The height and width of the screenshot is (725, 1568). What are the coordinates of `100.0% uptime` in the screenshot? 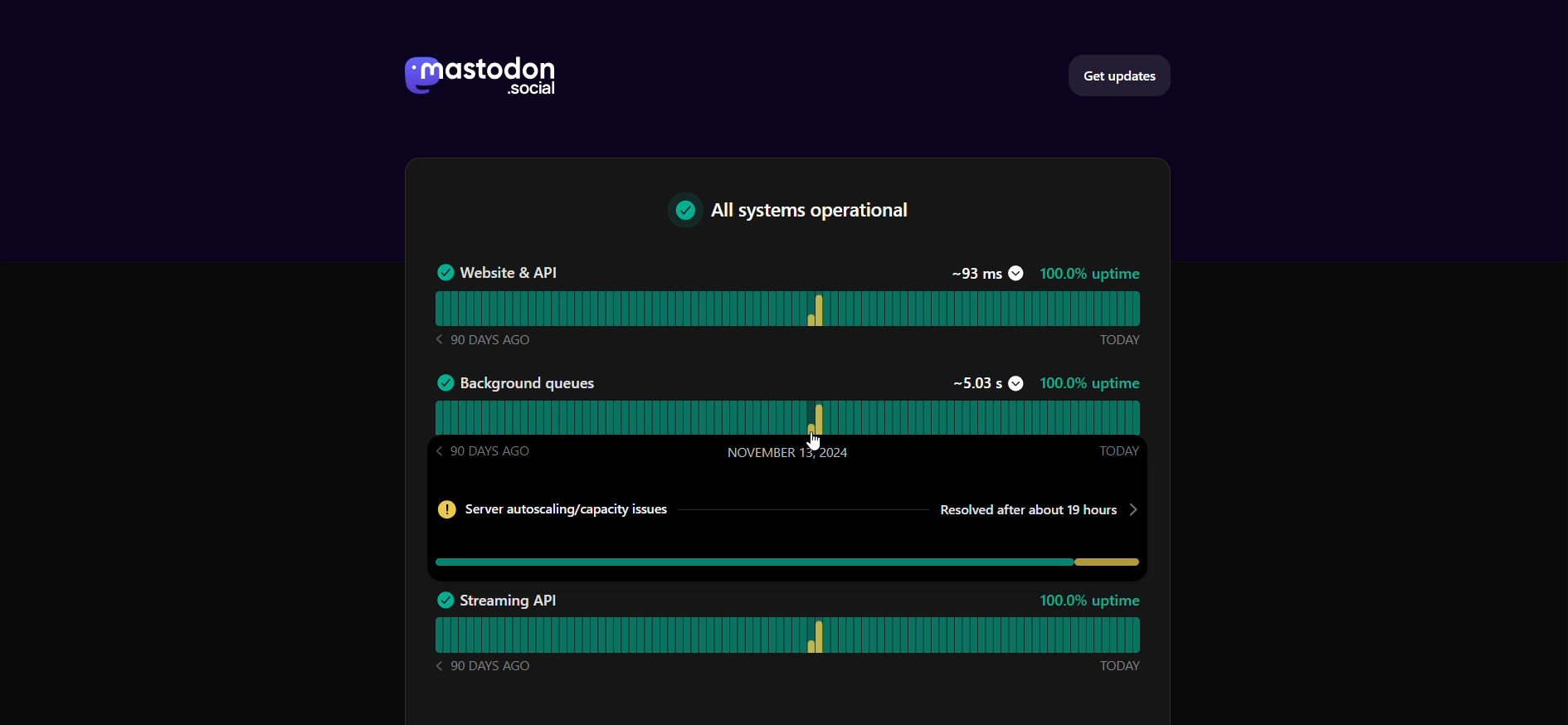 It's located at (1092, 601).